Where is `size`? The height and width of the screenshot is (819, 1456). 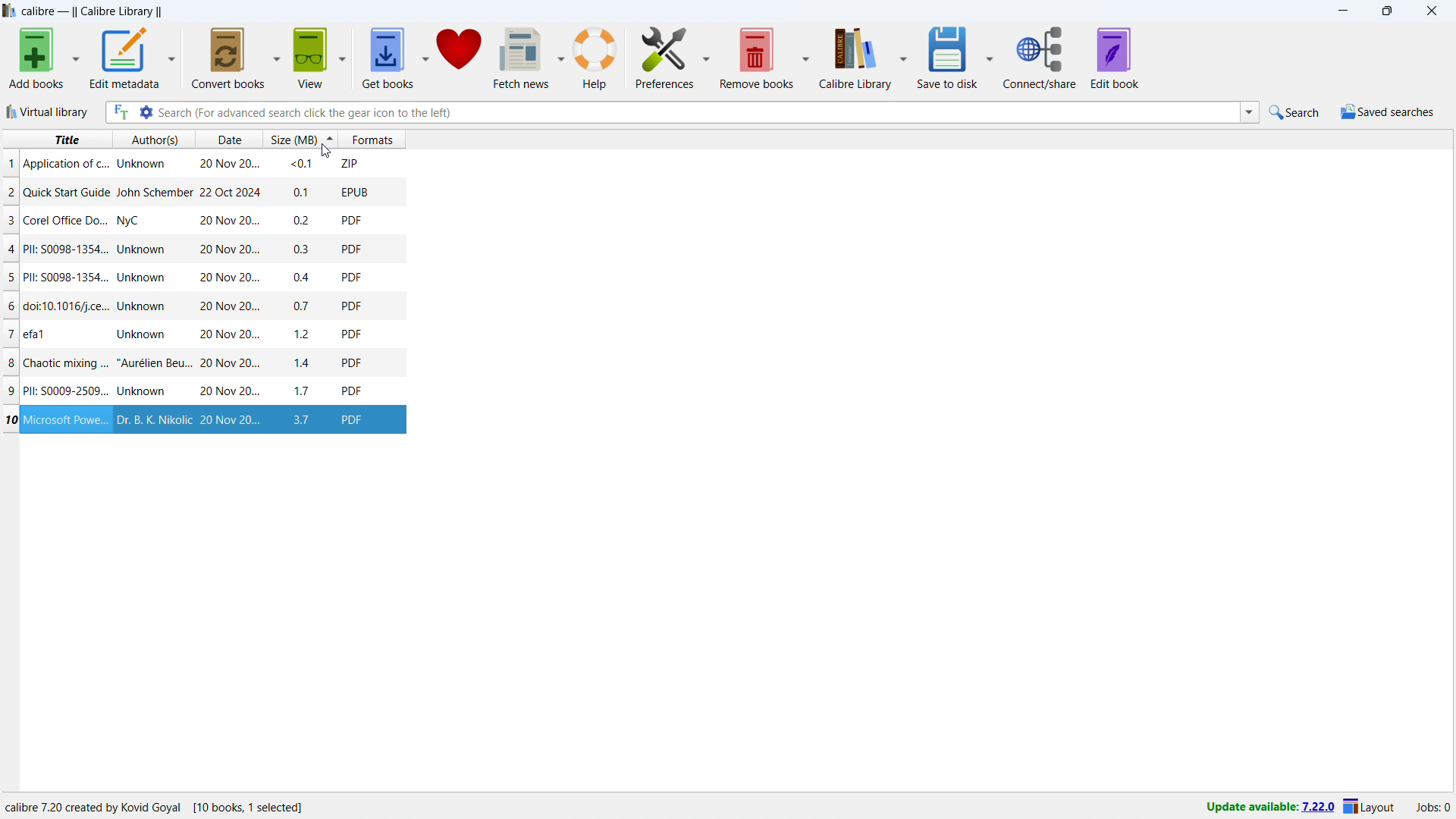 size is located at coordinates (303, 248).